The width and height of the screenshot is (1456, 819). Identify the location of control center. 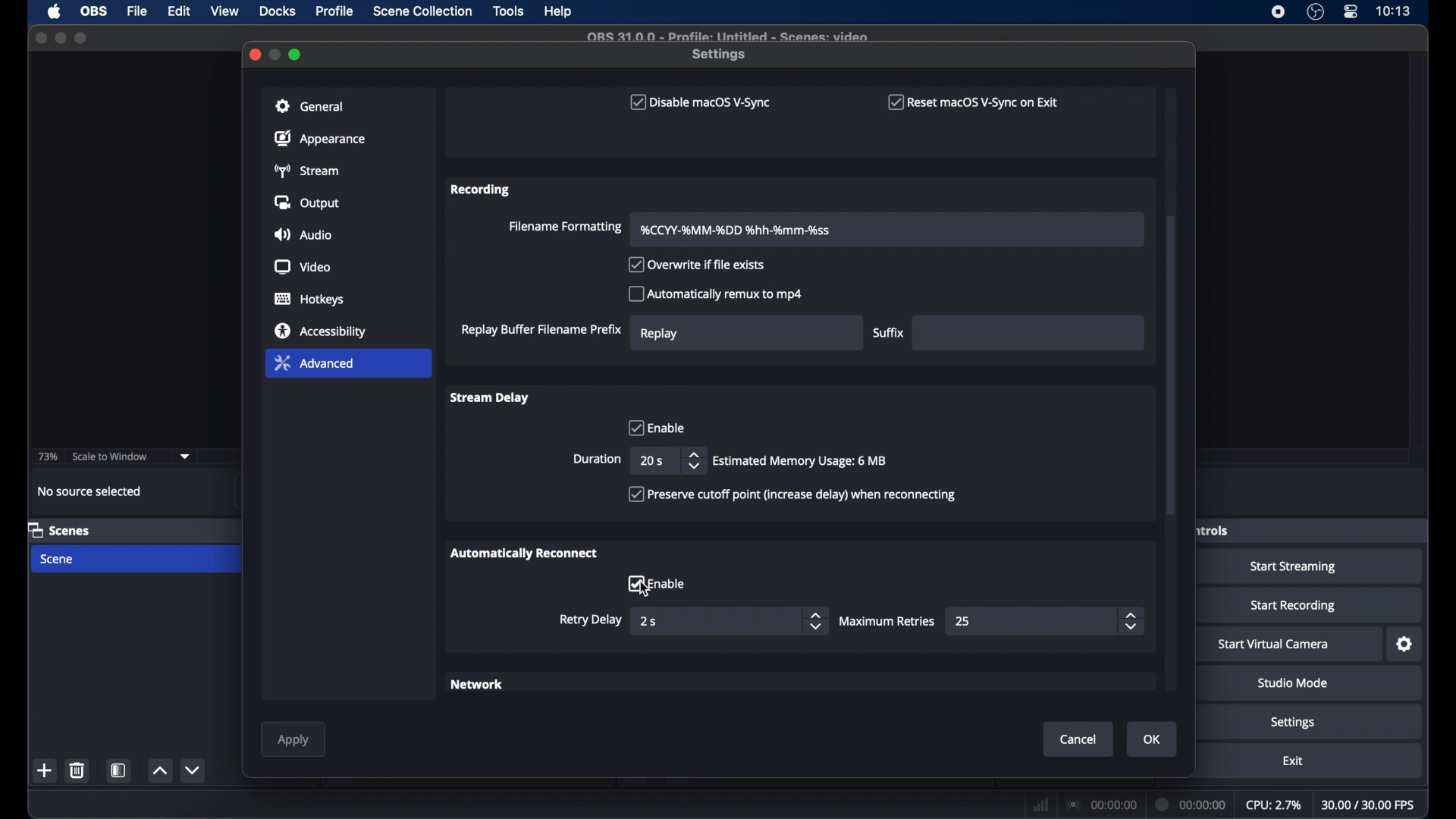
(1350, 12).